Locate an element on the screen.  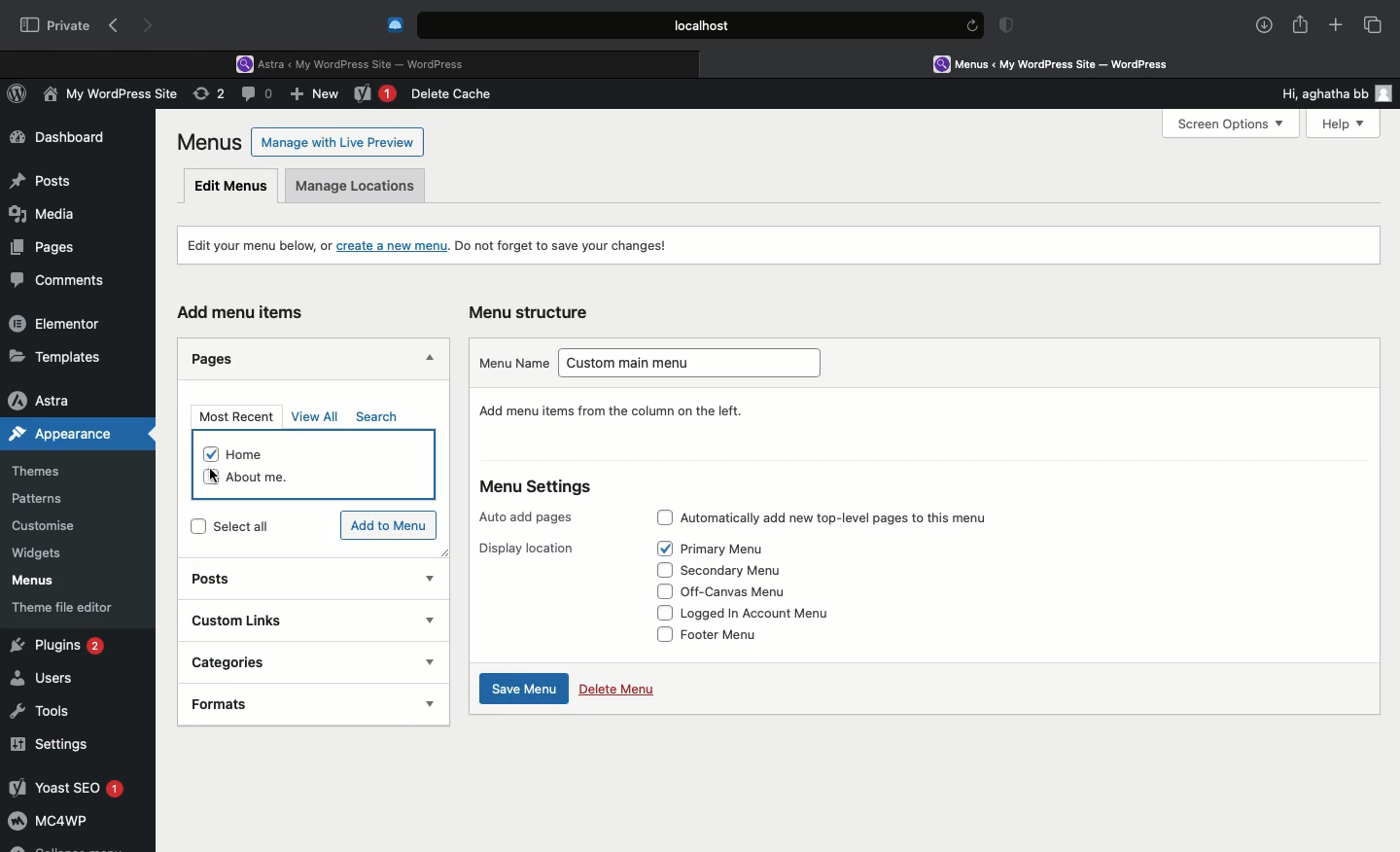
Manage with Live Preview is located at coordinates (338, 141).